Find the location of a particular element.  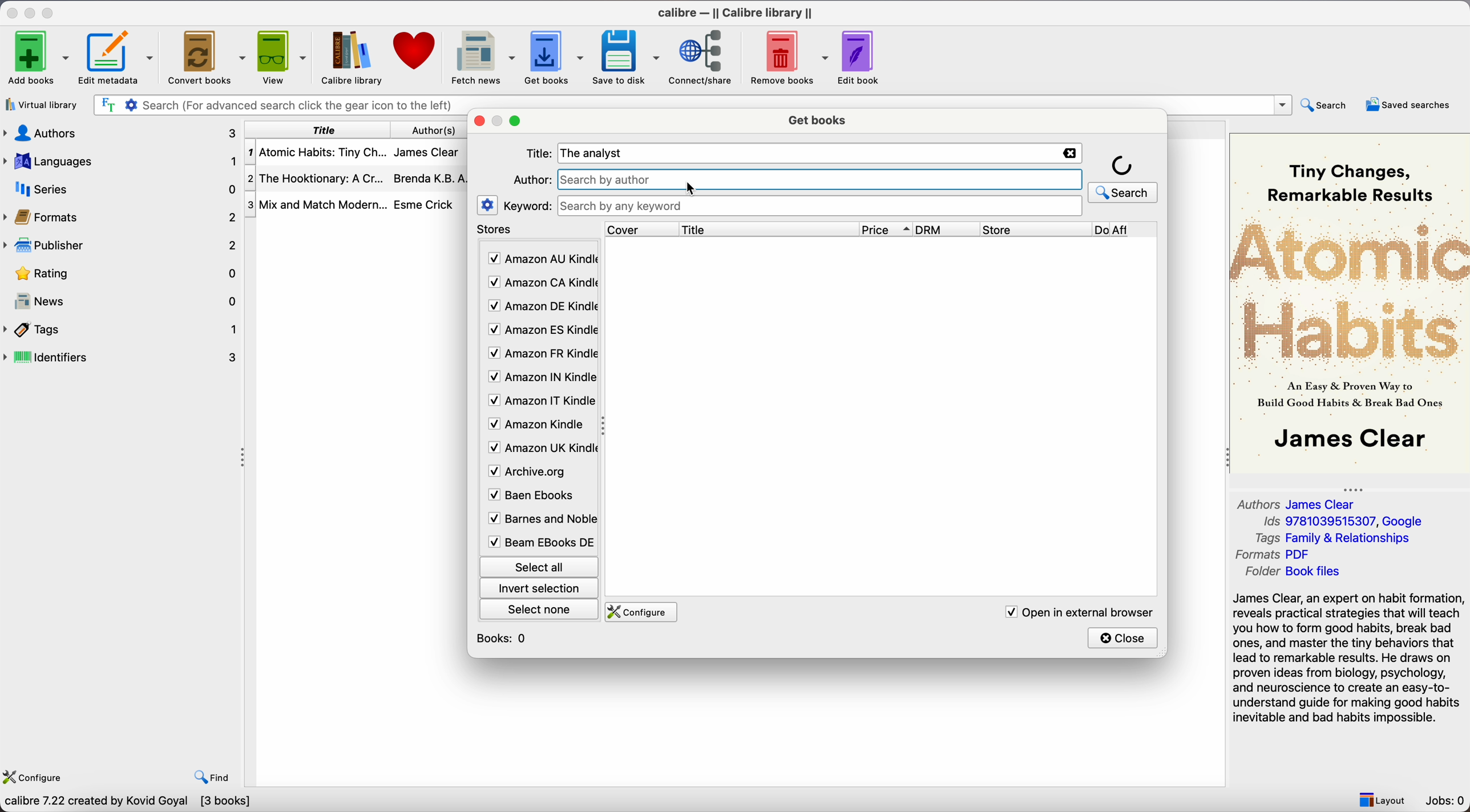

save to disk is located at coordinates (625, 56).